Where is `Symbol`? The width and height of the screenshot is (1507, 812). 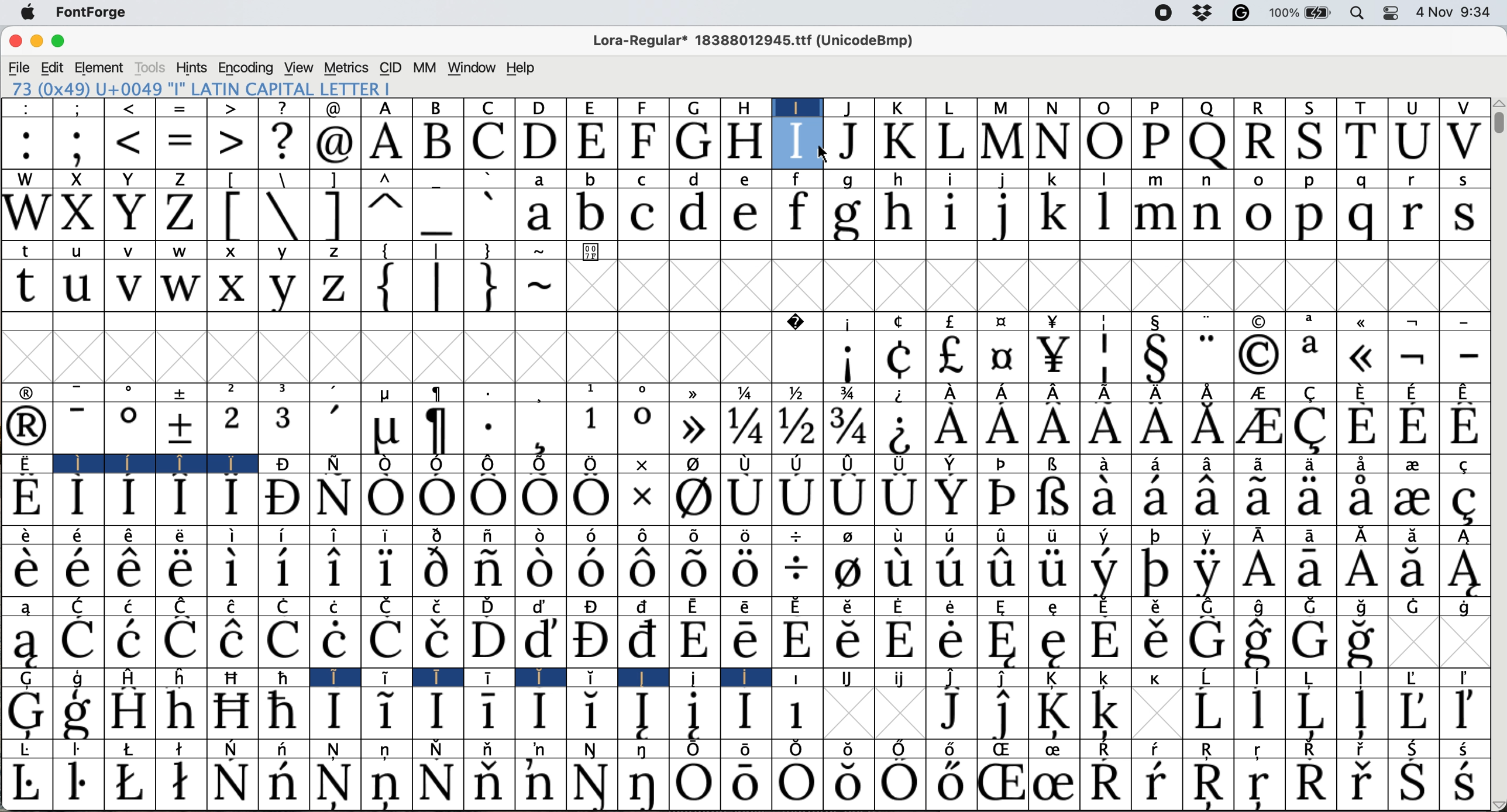 Symbol is located at coordinates (696, 500).